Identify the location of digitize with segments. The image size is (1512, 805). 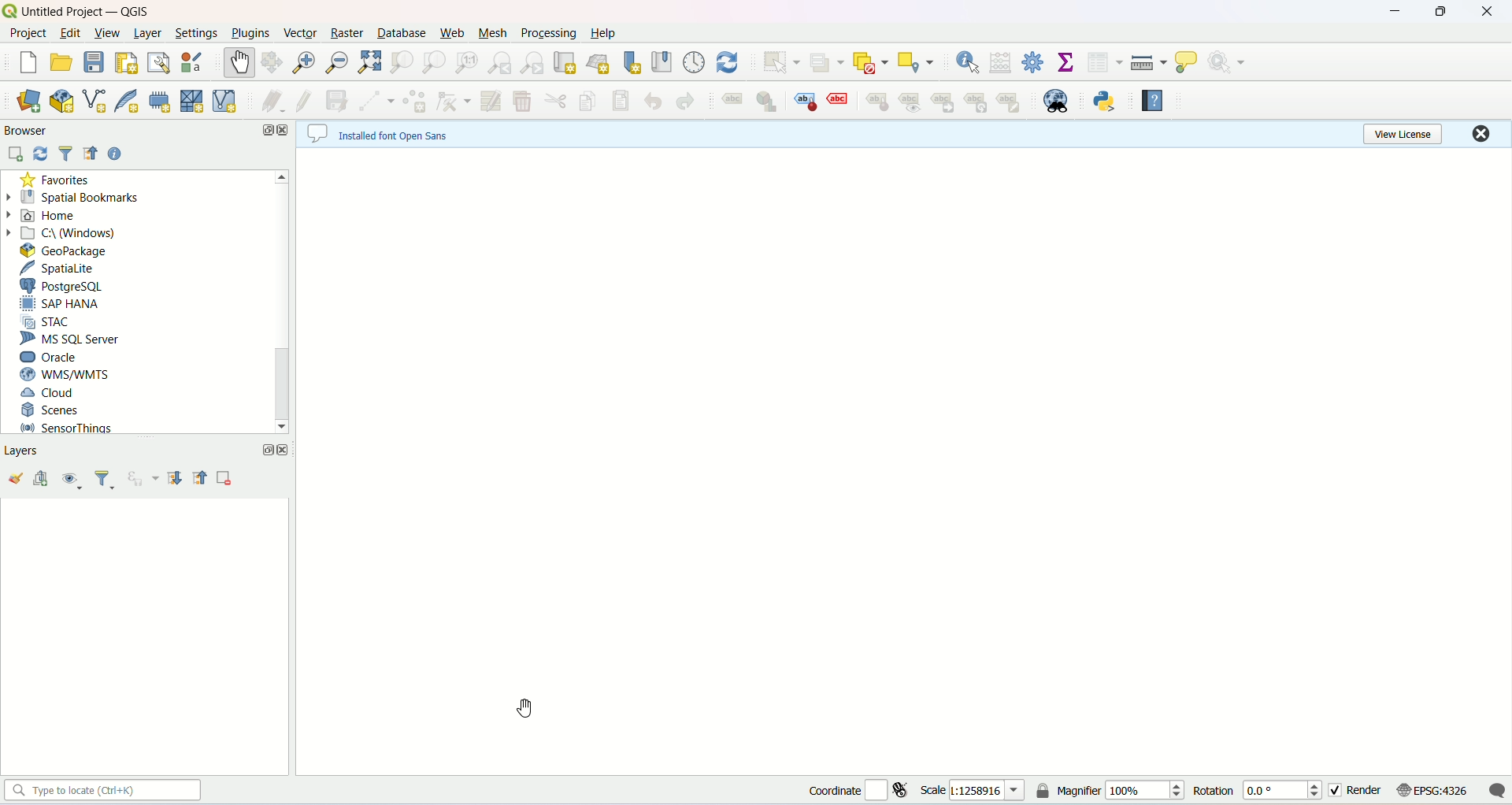
(371, 100).